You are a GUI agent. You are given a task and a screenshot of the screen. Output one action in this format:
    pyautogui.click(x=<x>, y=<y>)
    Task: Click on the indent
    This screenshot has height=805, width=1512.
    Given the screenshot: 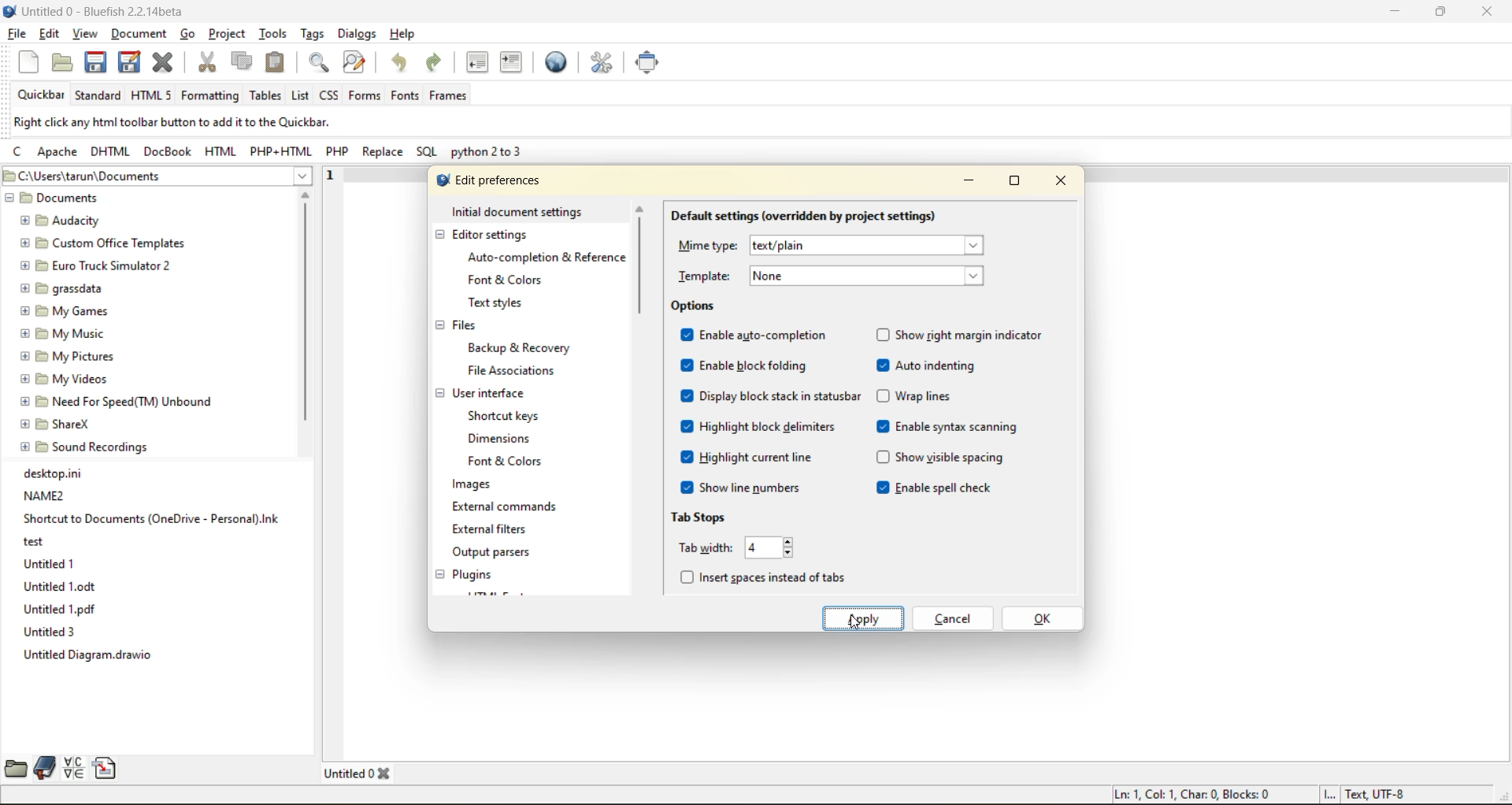 What is the action you would take?
    pyautogui.click(x=513, y=65)
    